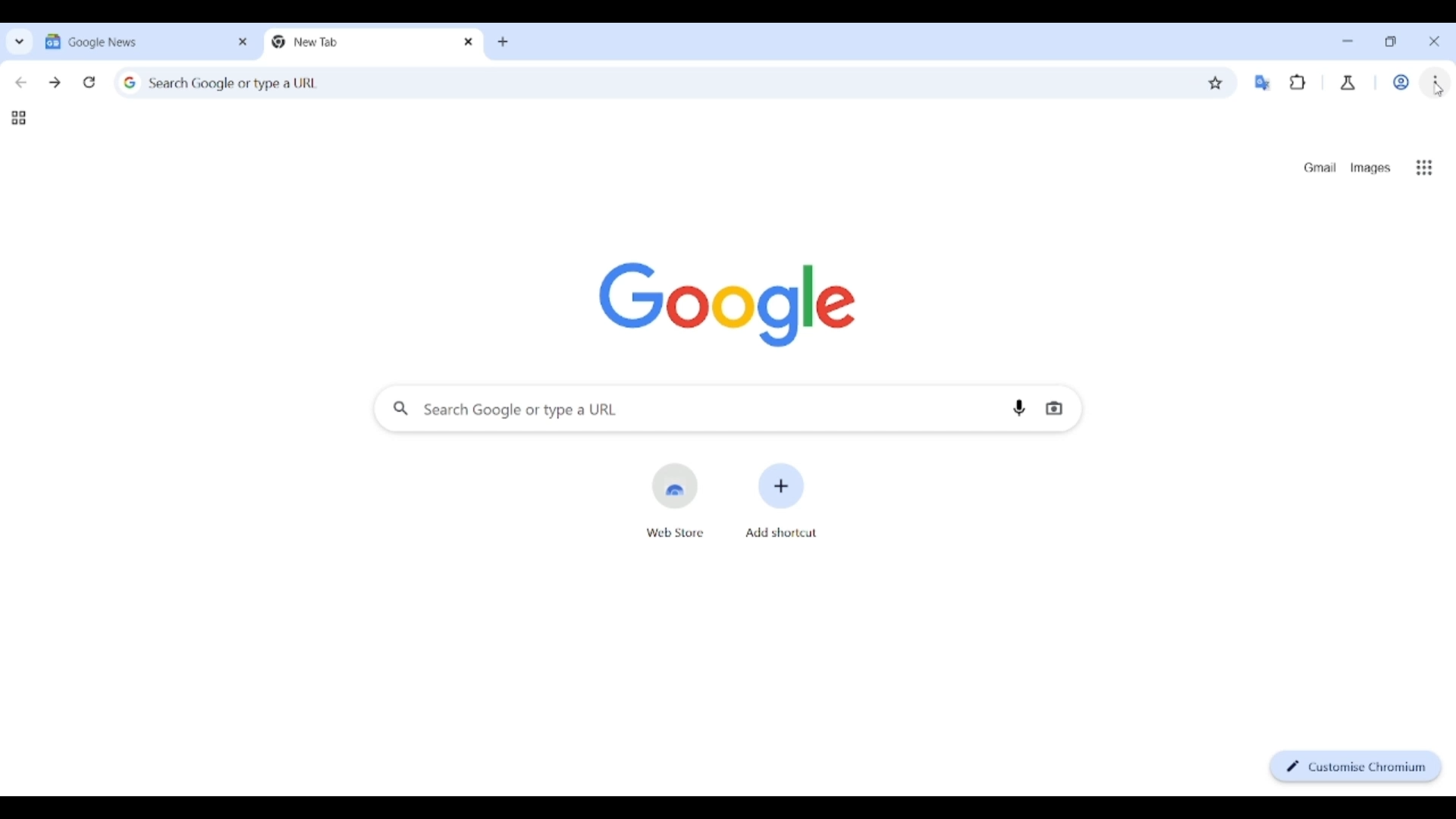 The height and width of the screenshot is (819, 1456). What do you see at coordinates (726, 304) in the screenshot?
I see `Google logo` at bounding box center [726, 304].